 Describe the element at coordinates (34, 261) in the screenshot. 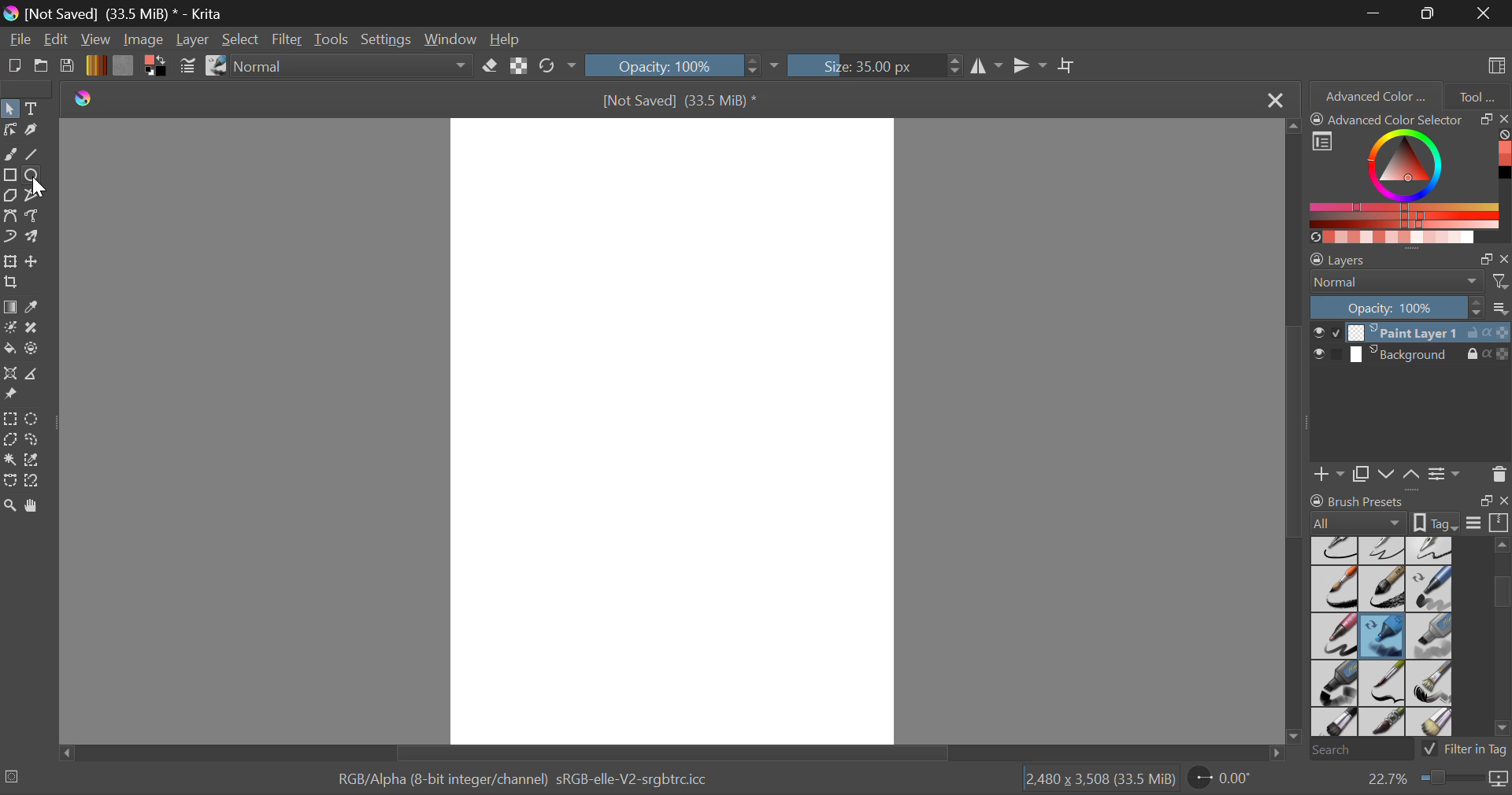

I see `Move a layer` at that location.